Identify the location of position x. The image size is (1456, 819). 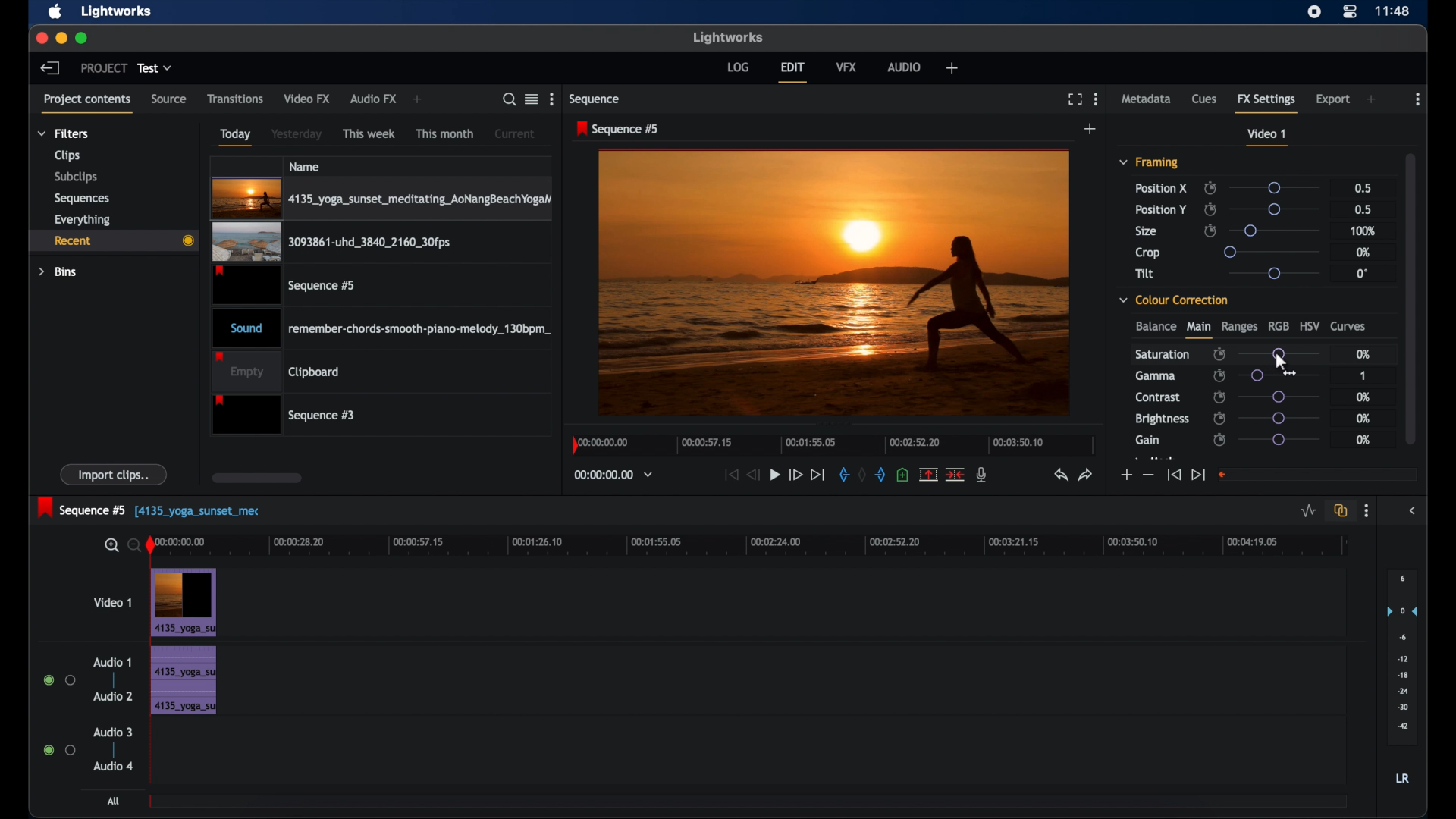
(1161, 187).